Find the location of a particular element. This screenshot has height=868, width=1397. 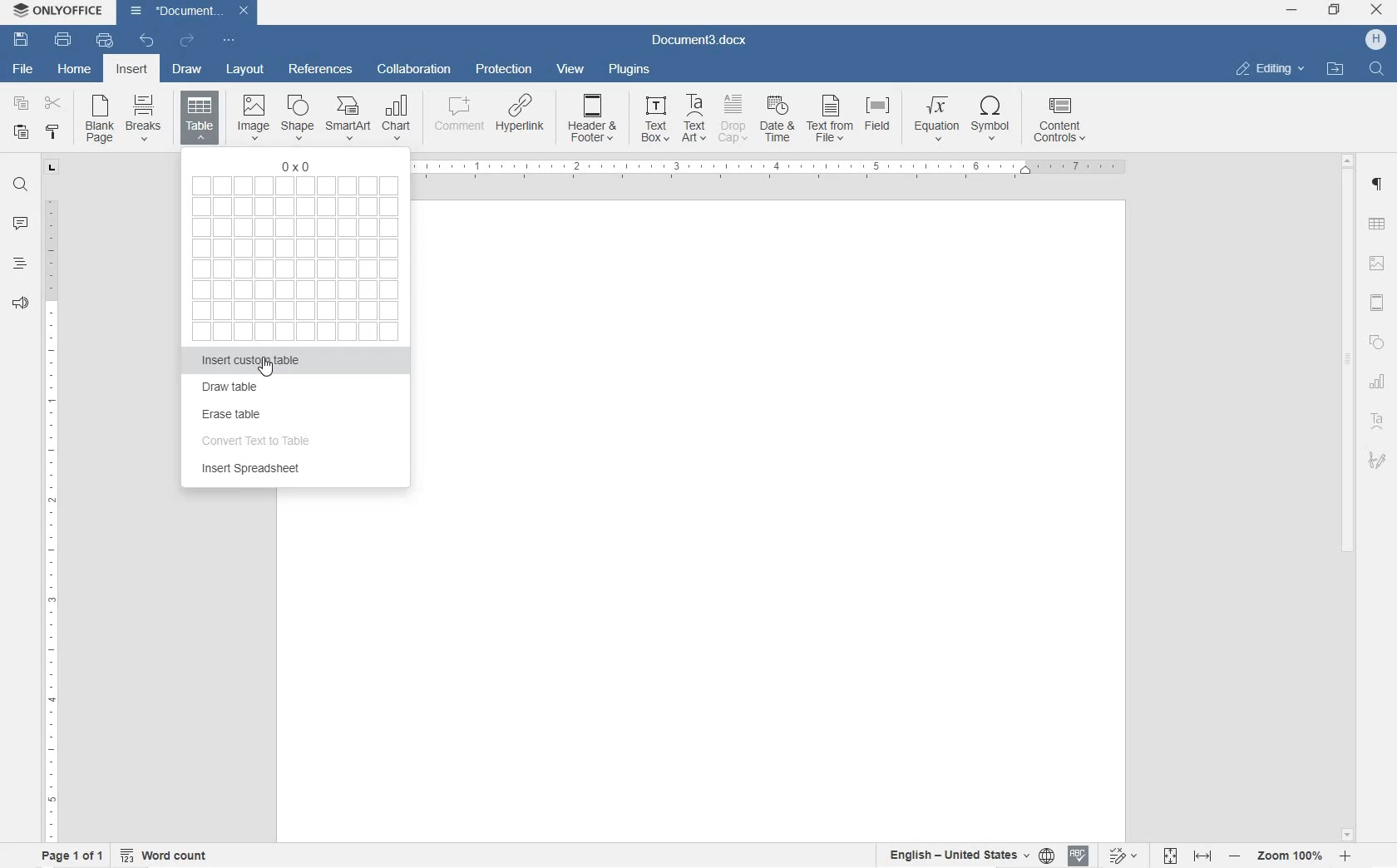

editing is located at coordinates (1271, 68).